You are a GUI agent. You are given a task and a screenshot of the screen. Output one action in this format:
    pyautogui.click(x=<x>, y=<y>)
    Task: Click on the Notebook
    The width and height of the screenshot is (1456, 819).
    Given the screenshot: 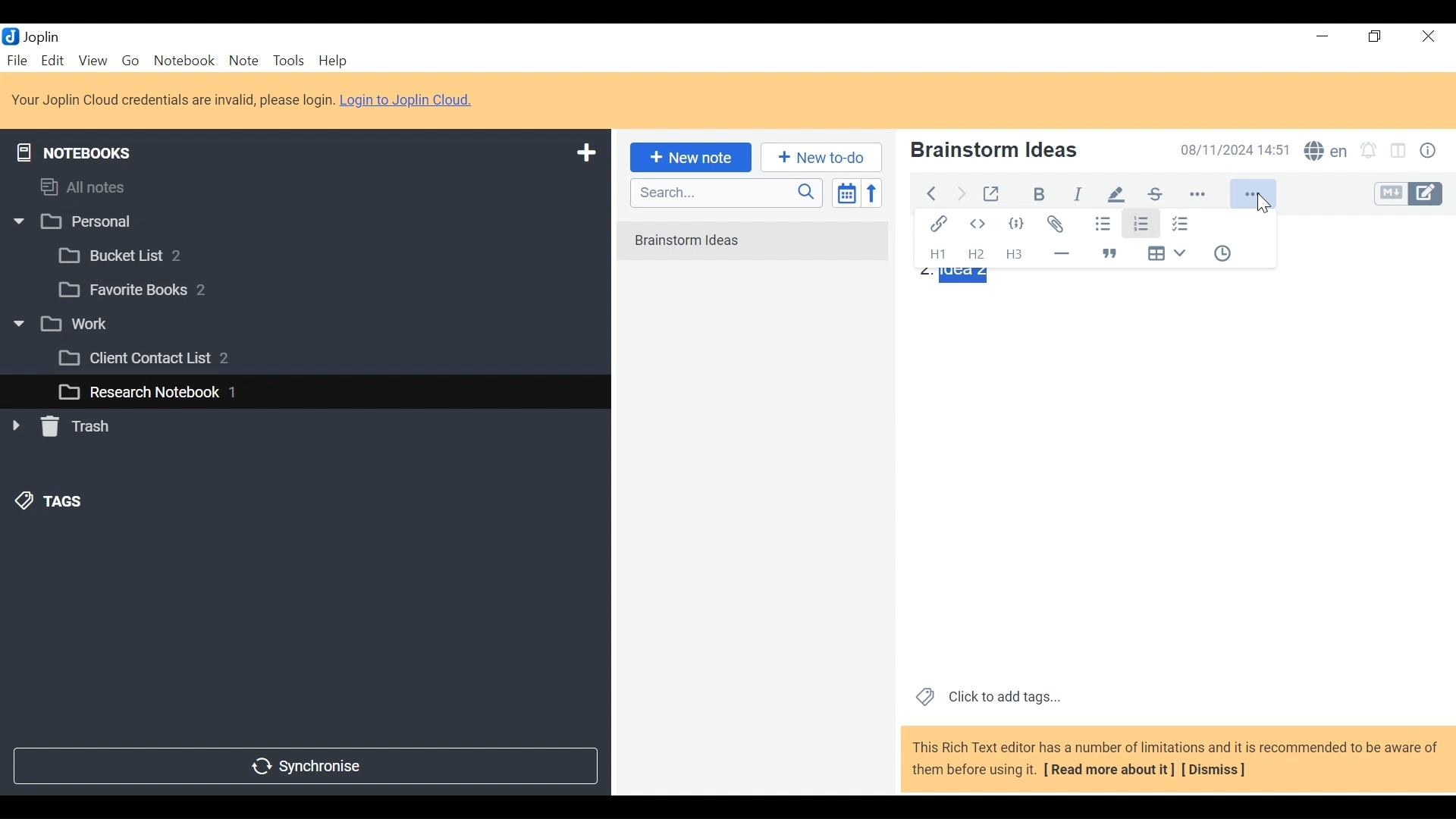 What is the action you would take?
    pyautogui.click(x=186, y=60)
    